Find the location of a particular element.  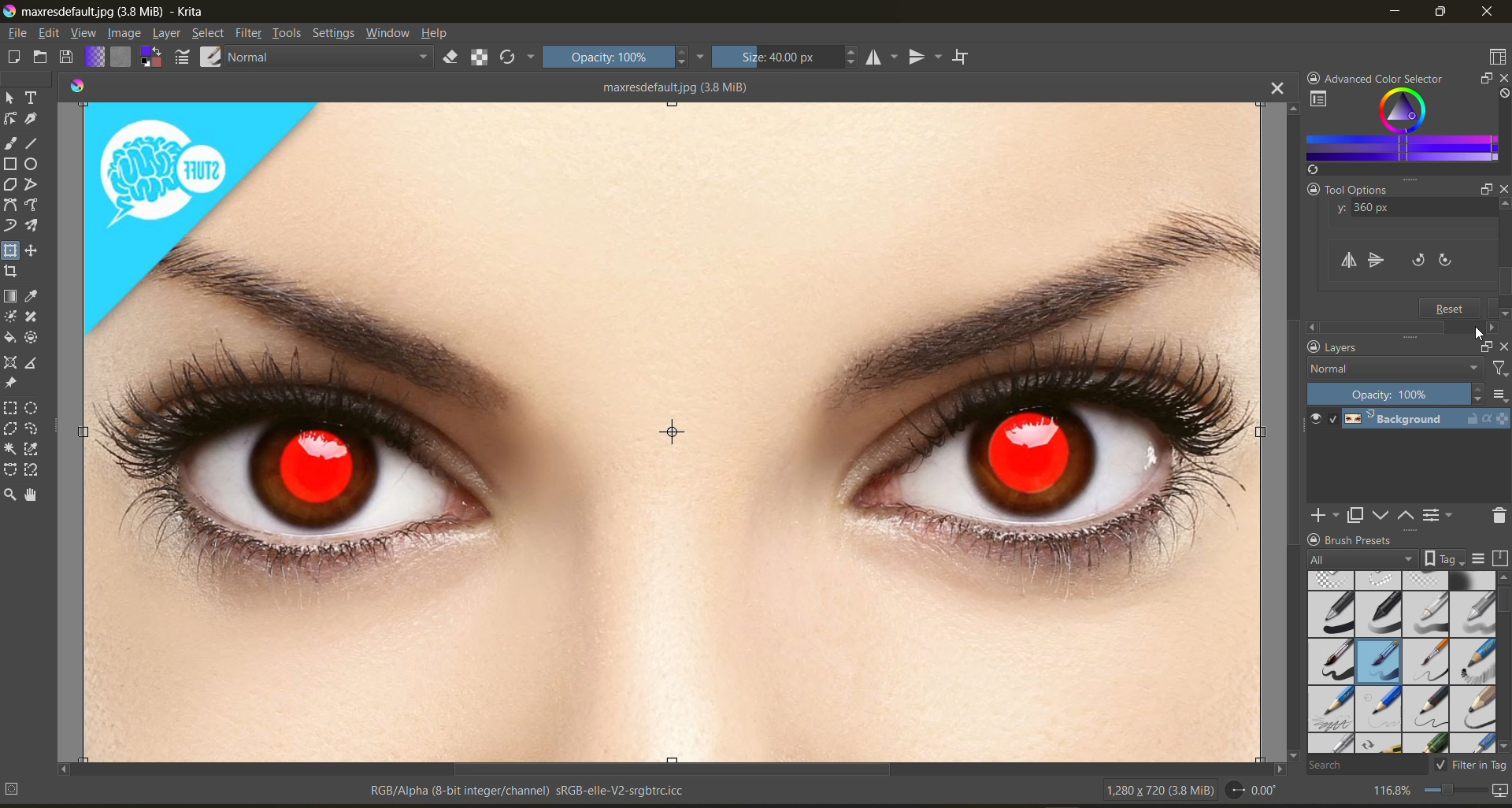

y axis is located at coordinates (1409, 209).